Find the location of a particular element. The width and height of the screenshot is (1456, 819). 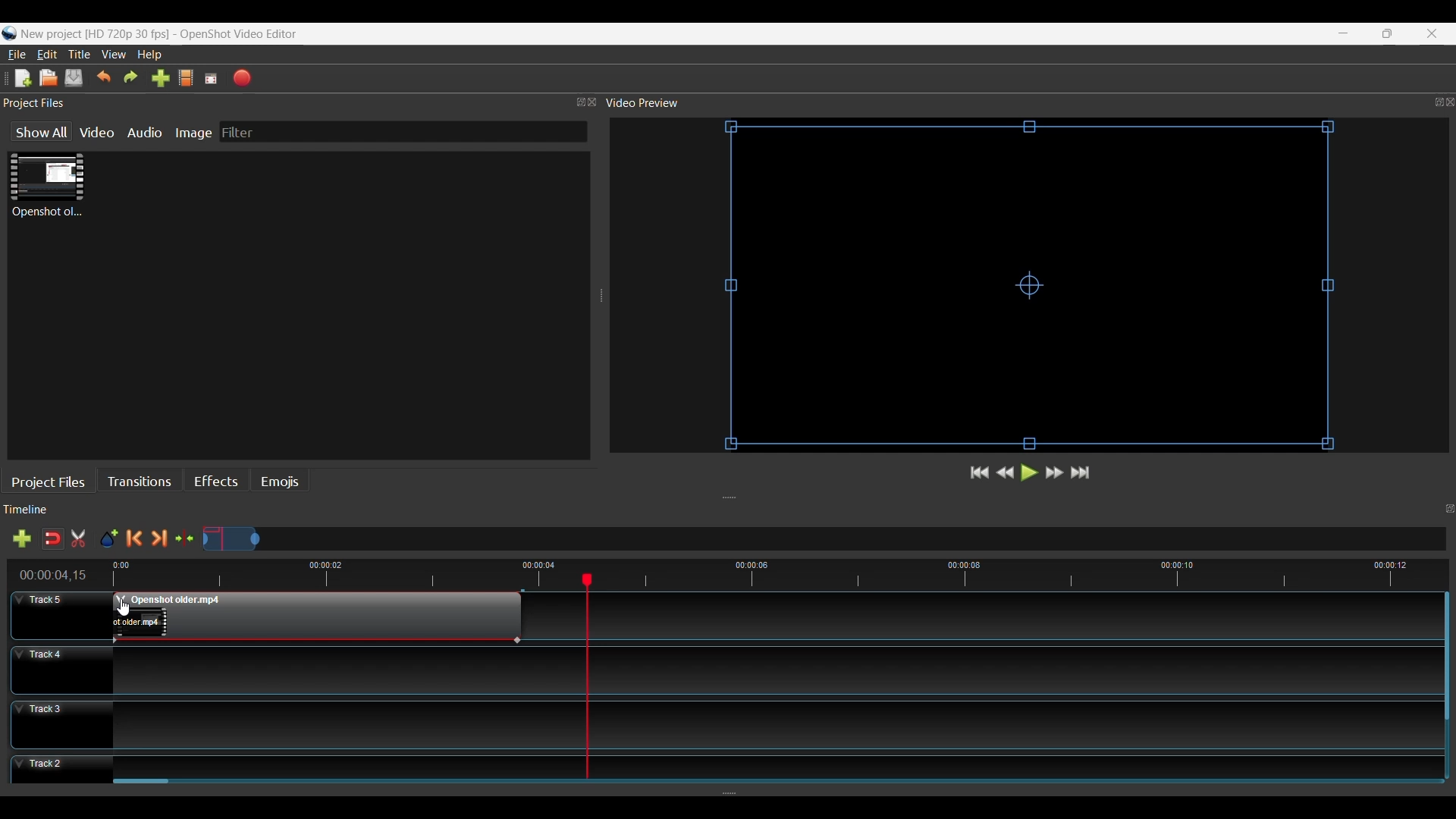

Play is located at coordinates (1028, 475).